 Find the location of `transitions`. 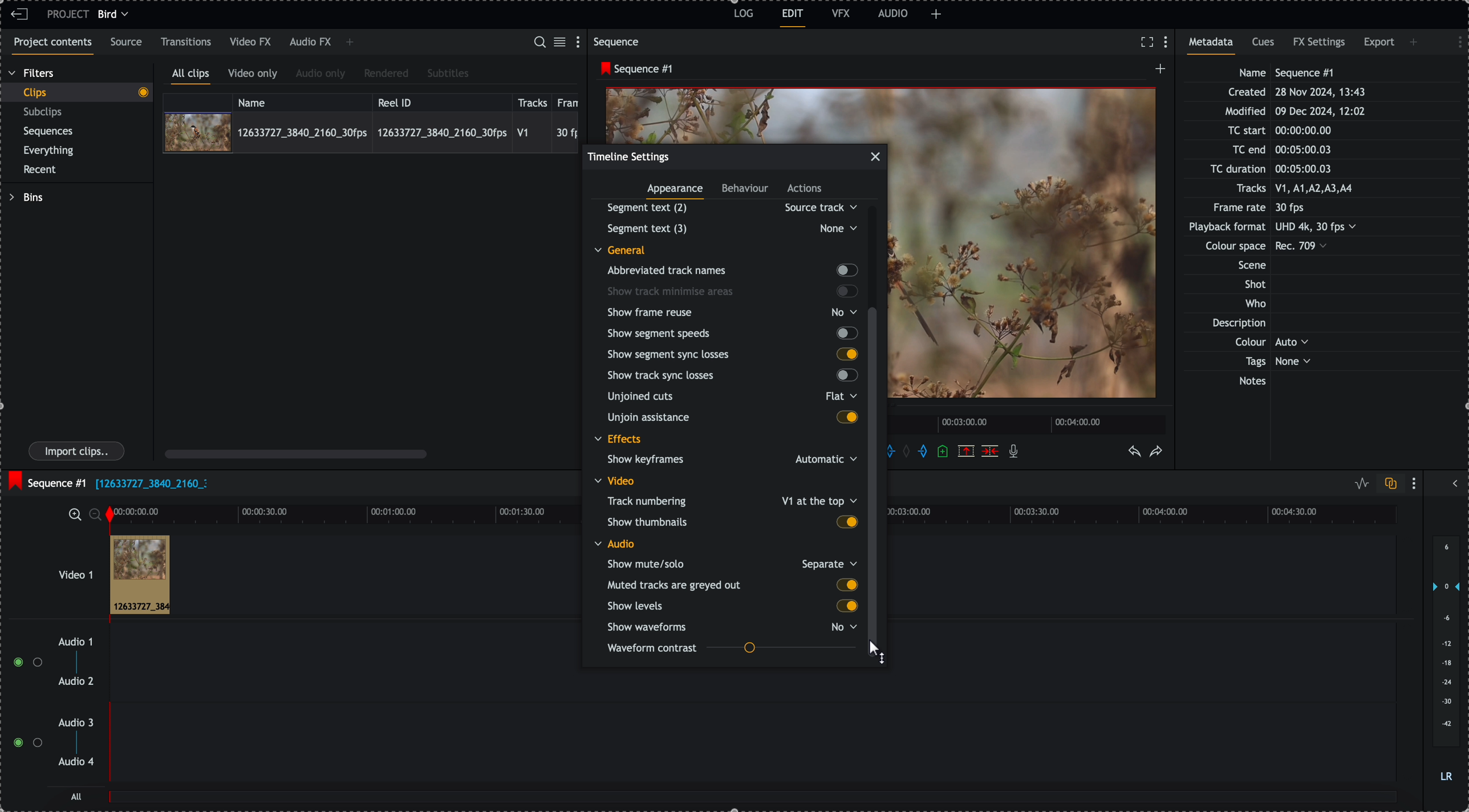

transitions is located at coordinates (186, 42).